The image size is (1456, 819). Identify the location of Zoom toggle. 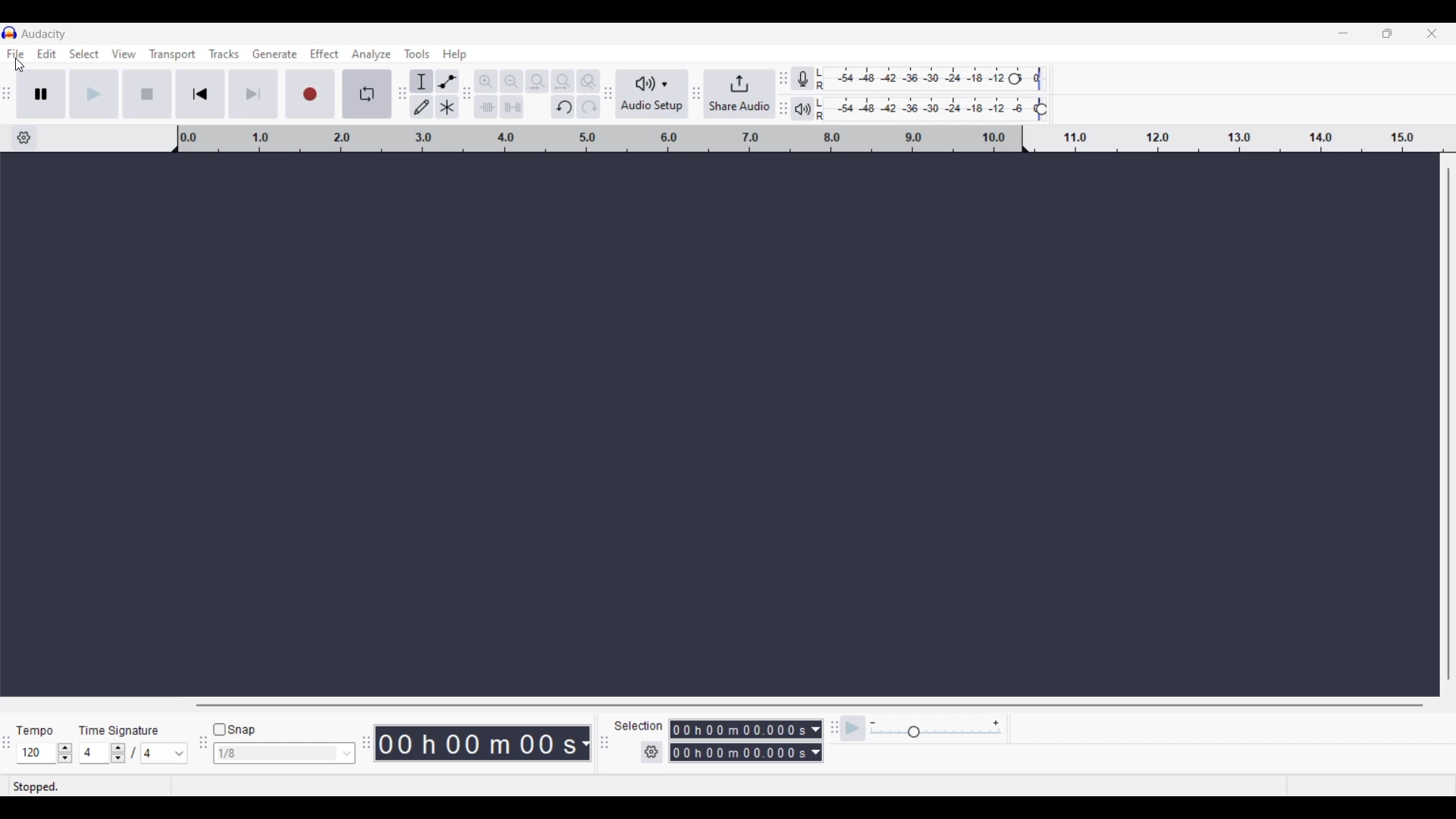
(589, 79).